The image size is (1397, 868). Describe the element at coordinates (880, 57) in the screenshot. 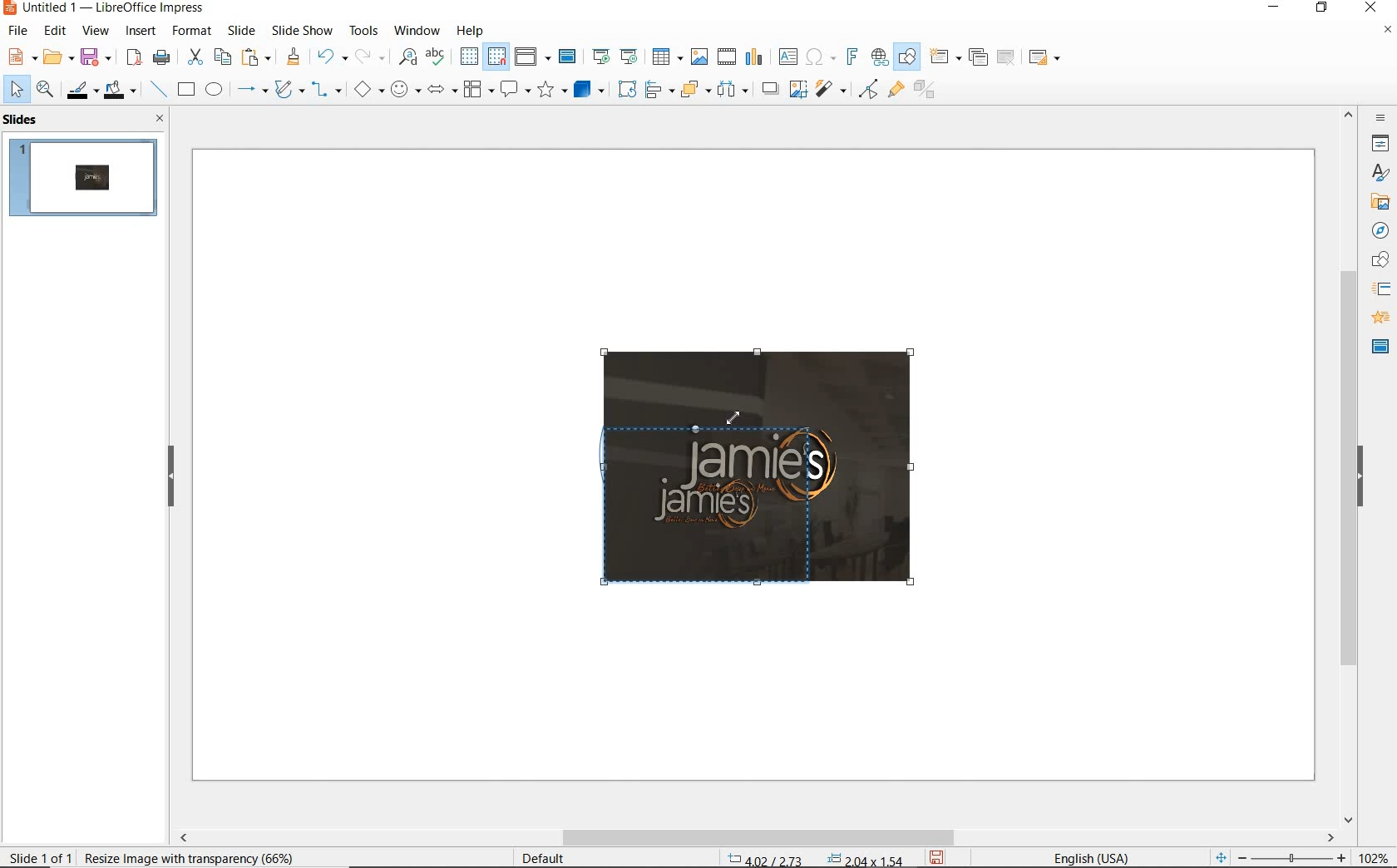

I see `insert hyperlink` at that location.